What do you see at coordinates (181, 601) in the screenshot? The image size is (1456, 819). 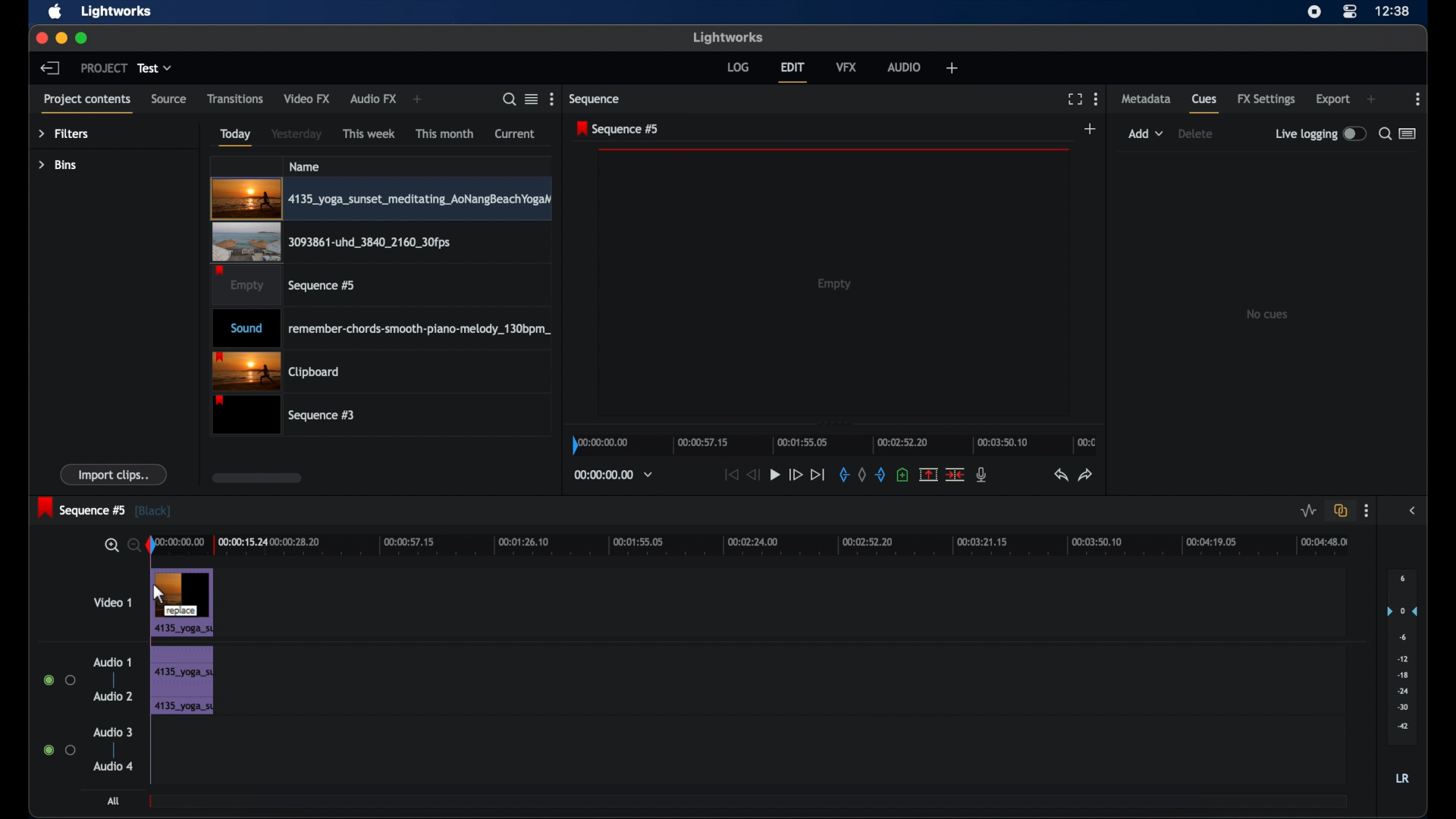 I see `video clip` at bounding box center [181, 601].